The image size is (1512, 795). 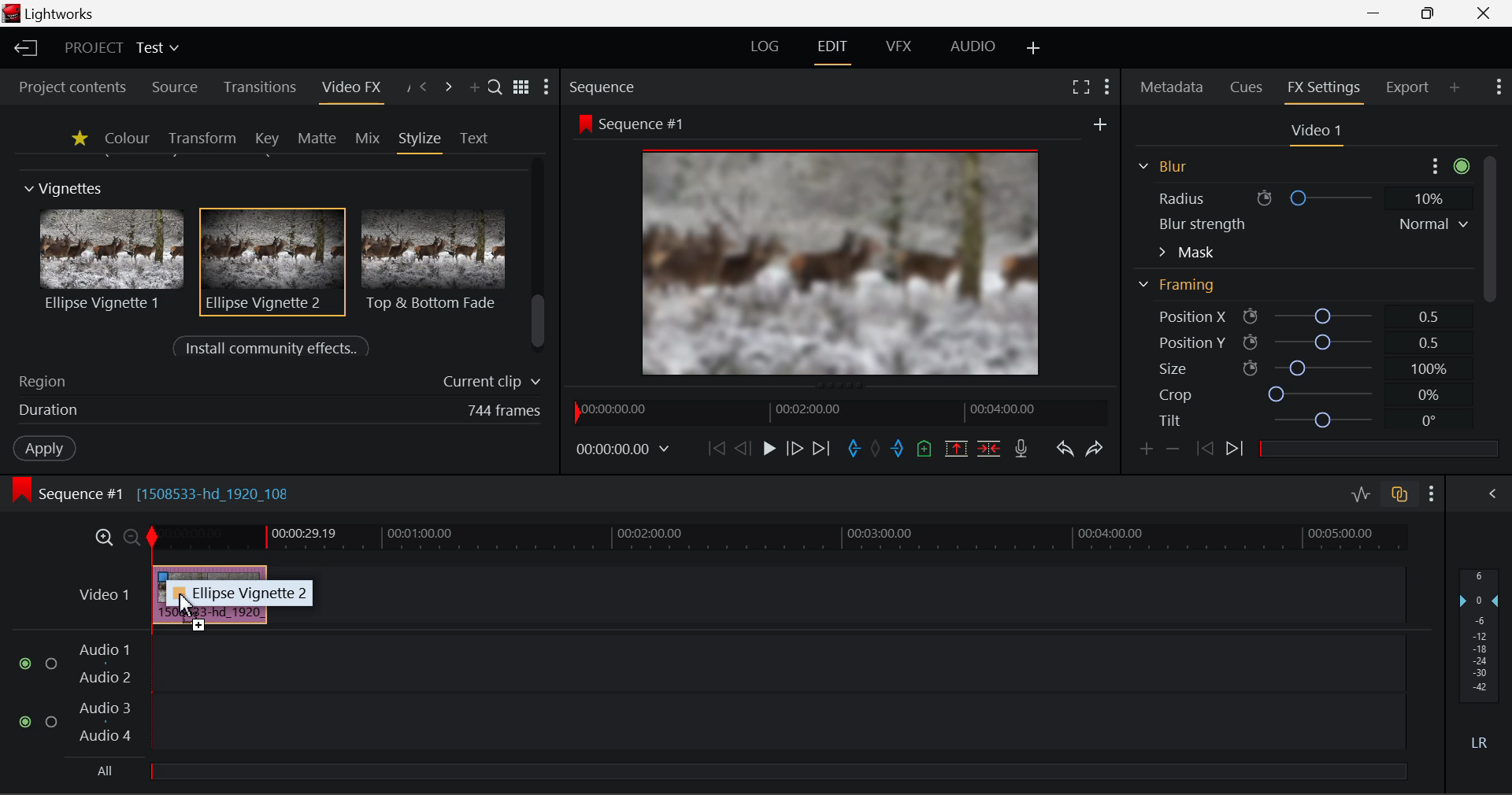 What do you see at coordinates (836, 412) in the screenshot?
I see `Project Timeline Navigator` at bounding box center [836, 412].